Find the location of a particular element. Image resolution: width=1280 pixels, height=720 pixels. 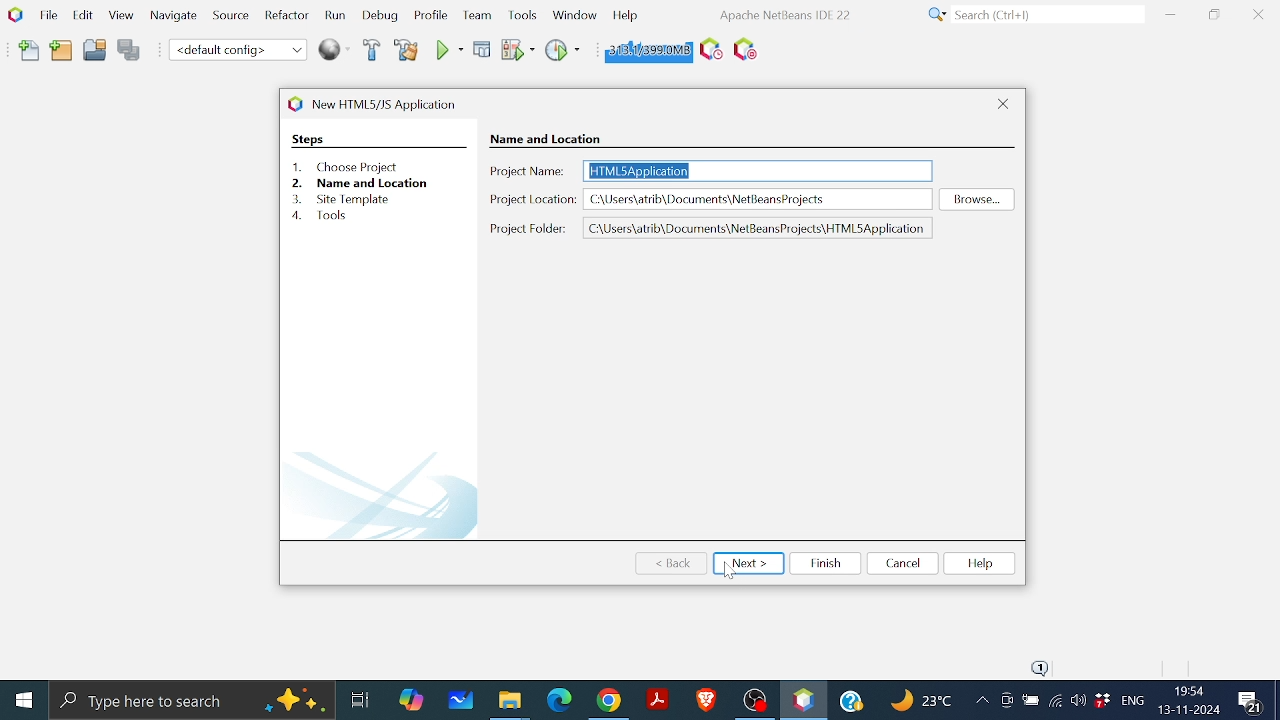

Finish is located at coordinates (824, 562).